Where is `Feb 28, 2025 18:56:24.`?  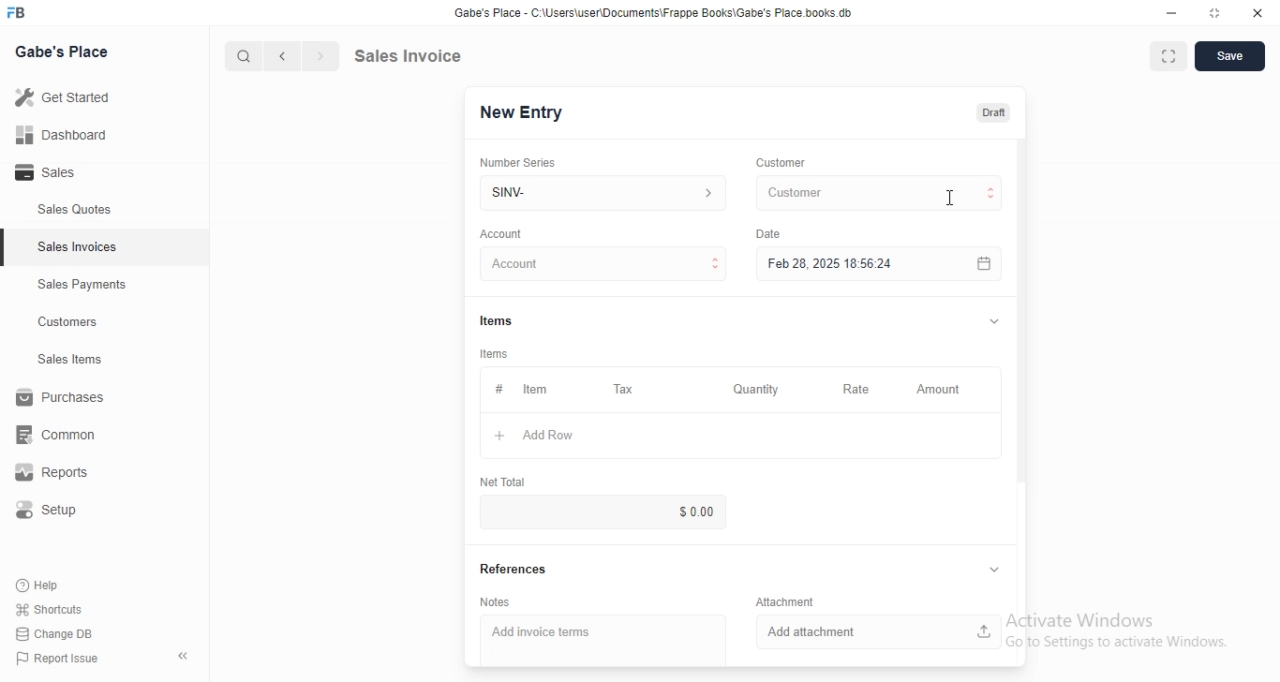
Feb 28, 2025 18:56:24. is located at coordinates (875, 262).